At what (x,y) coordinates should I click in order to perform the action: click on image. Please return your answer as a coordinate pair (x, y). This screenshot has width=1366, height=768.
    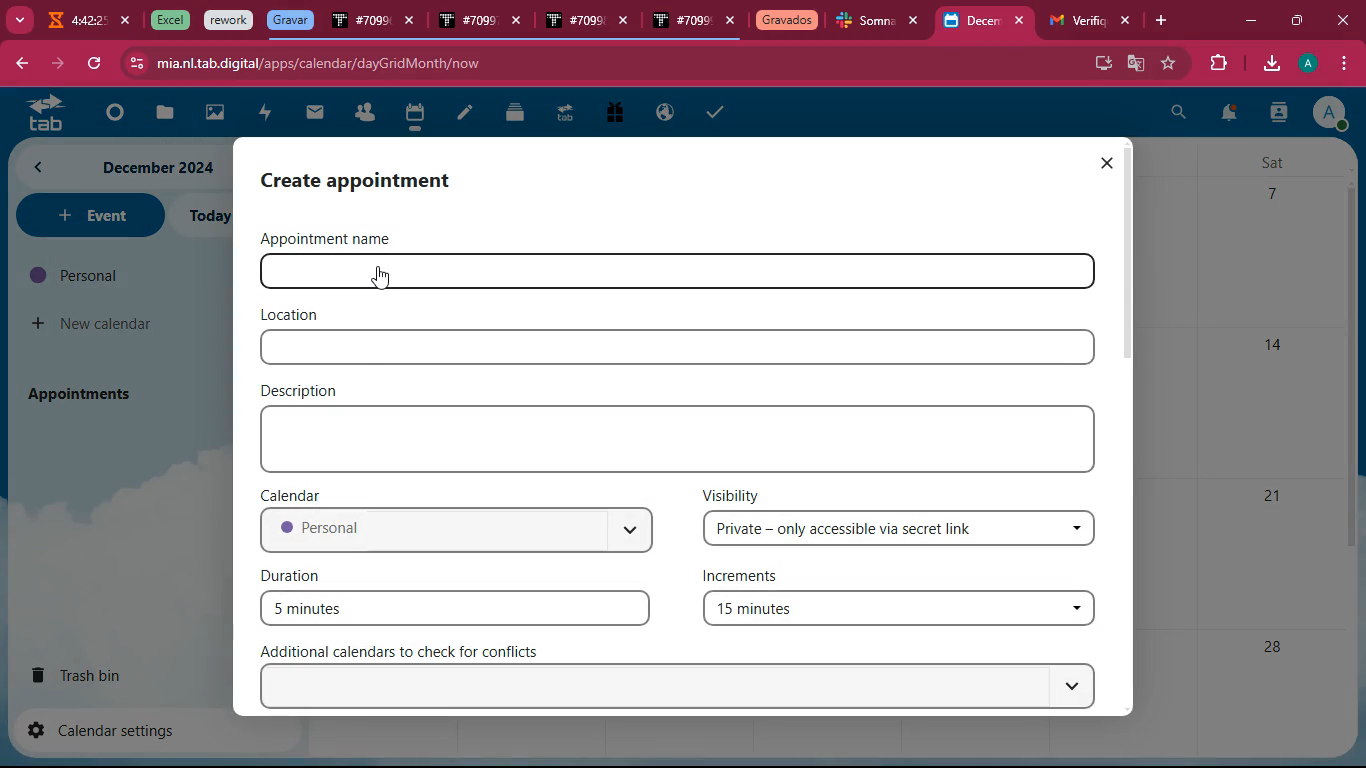
    Looking at the image, I should click on (216, 115).